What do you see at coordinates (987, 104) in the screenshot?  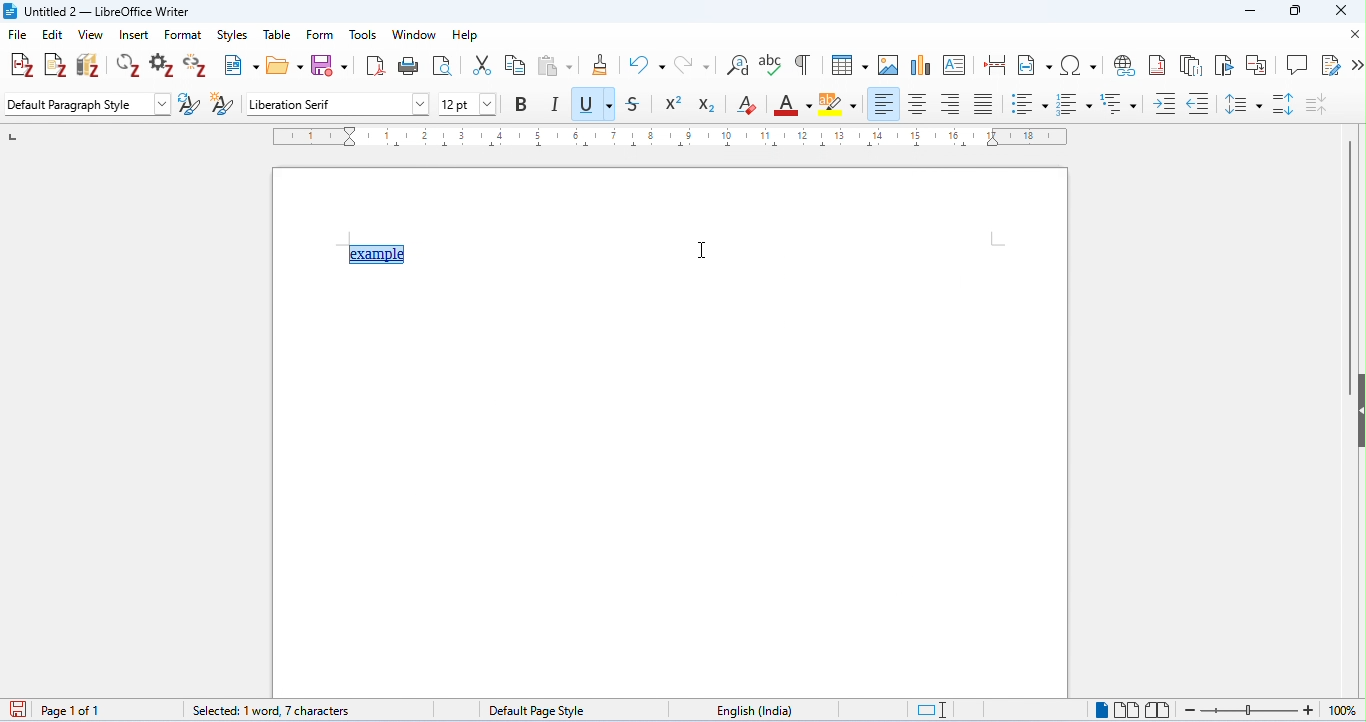 I see `justified` at bounding box center [987, 104].